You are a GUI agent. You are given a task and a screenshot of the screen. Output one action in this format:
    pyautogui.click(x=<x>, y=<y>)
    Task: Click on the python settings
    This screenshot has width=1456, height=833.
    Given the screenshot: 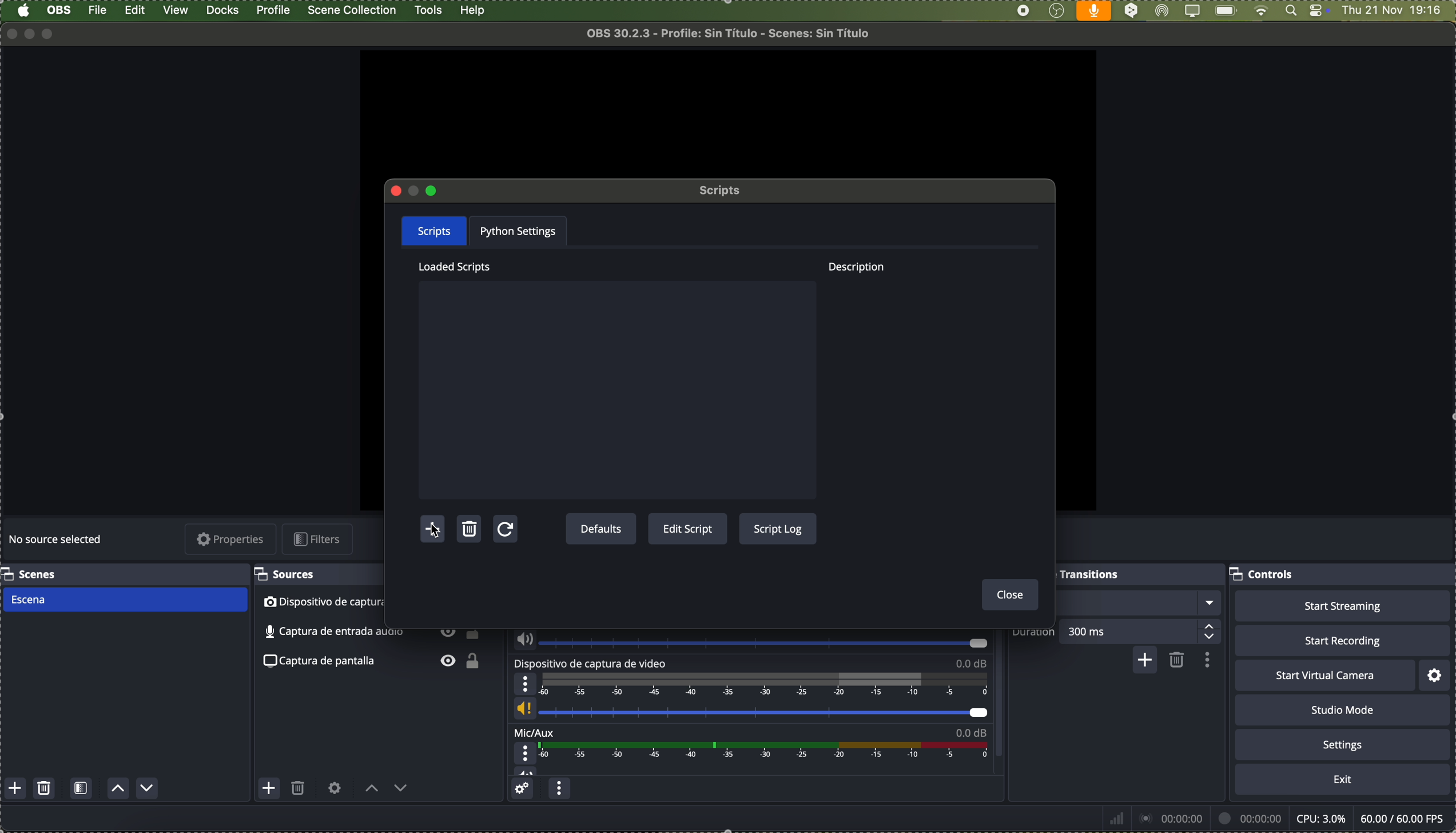 What is the action you would take?
    pyautogui.click(x=522, y=231)
    